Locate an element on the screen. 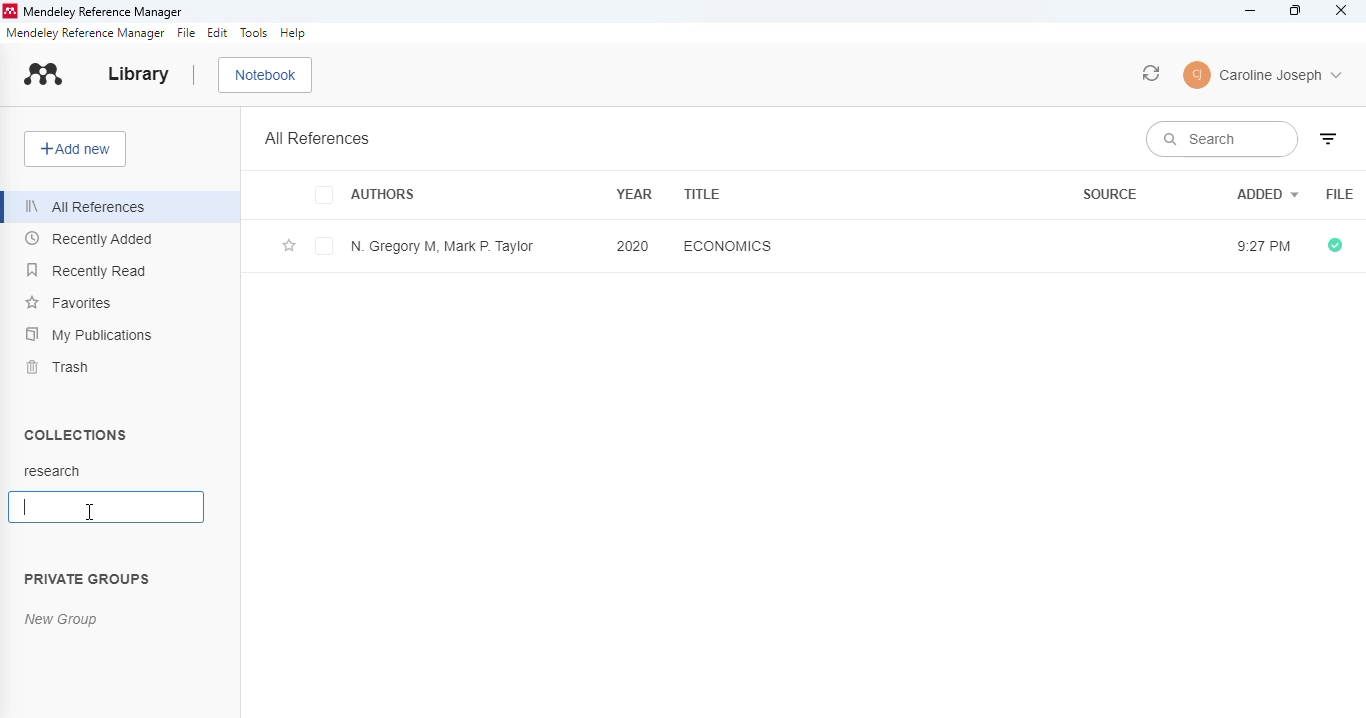  logo is located at coordinates (44, 74).